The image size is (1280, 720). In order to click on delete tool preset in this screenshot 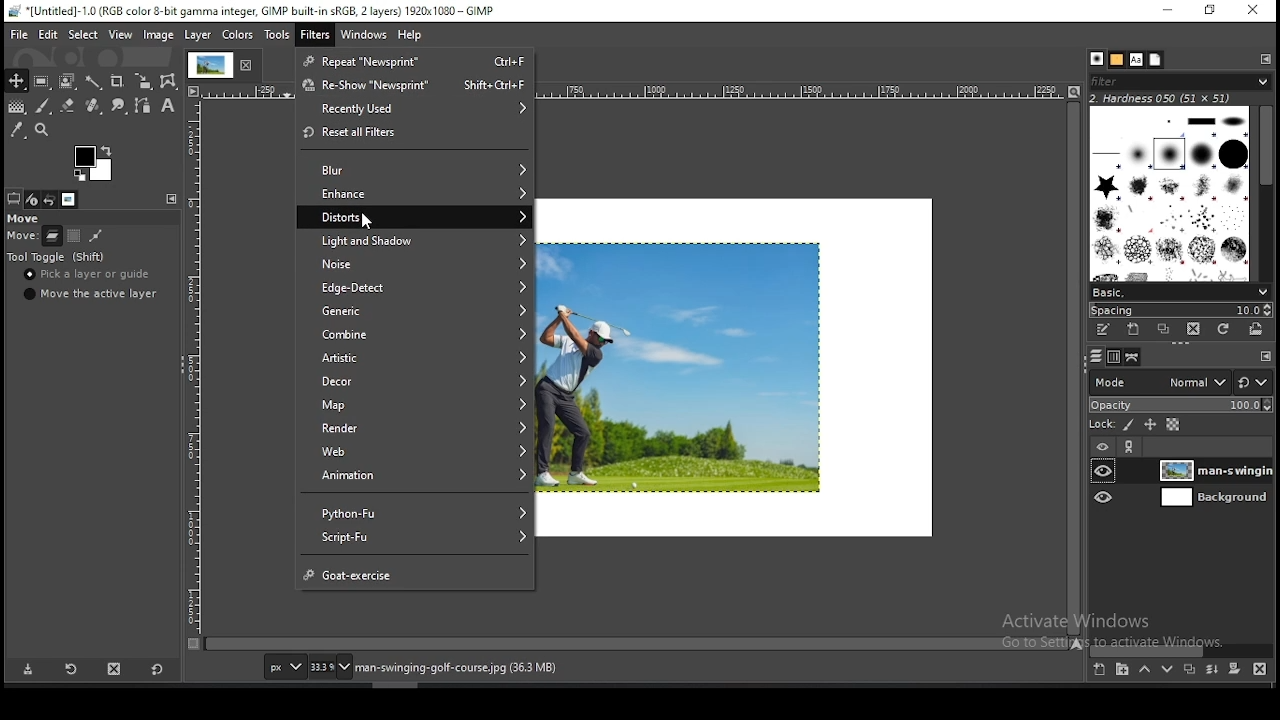, I will do `click(113, 669)`.